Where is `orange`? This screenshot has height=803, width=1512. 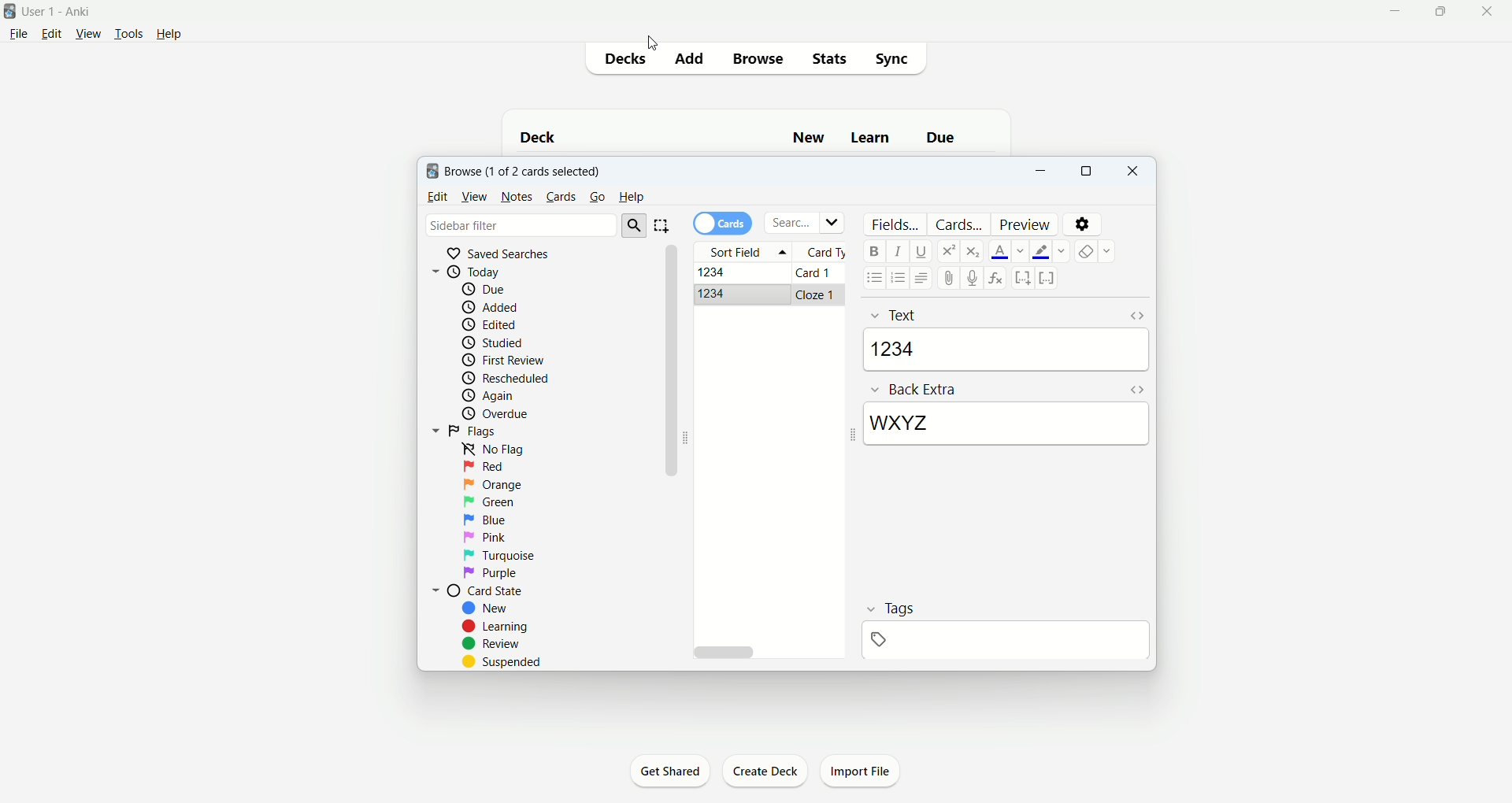
orange is located at coordinates (491, 484).